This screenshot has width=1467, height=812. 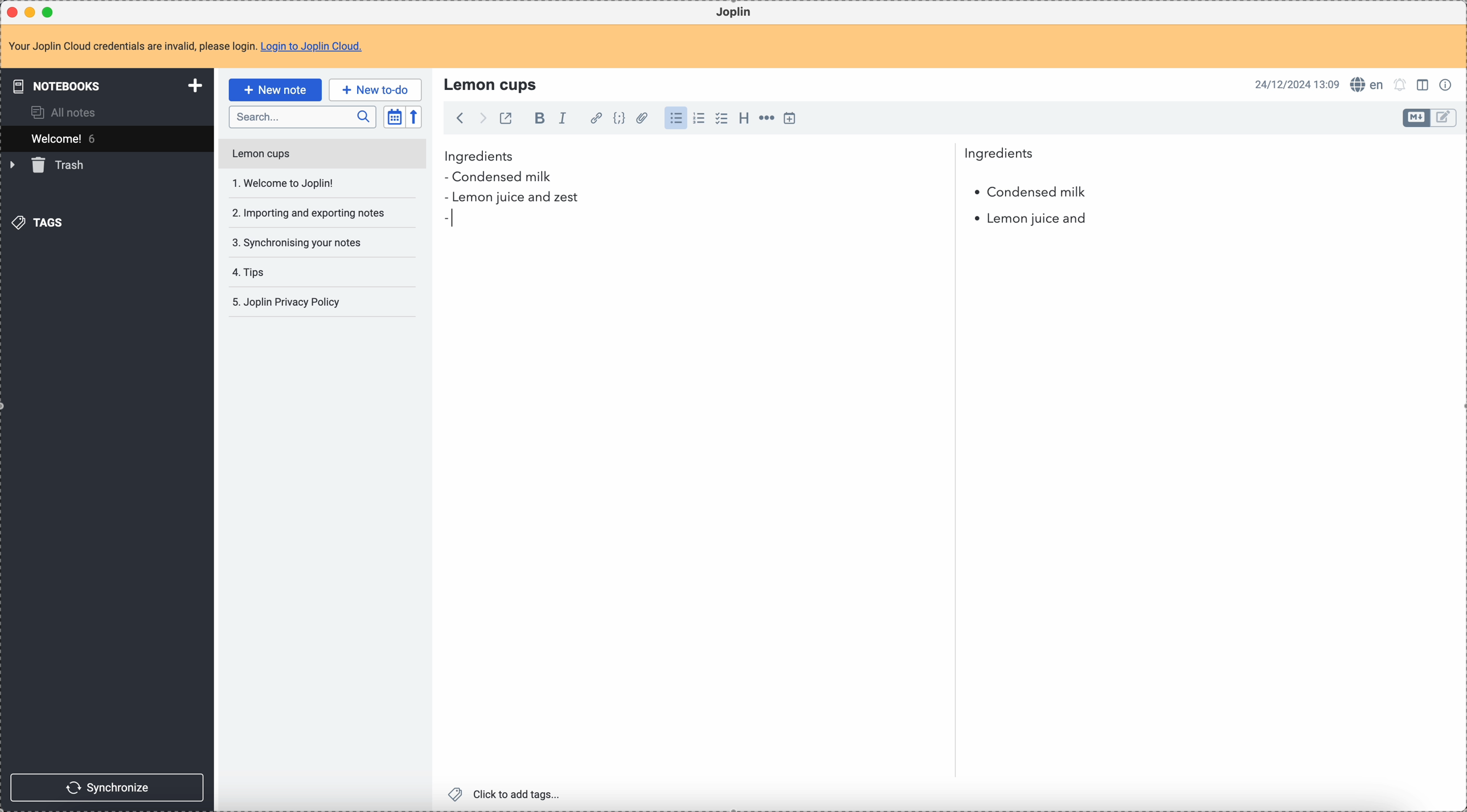 I want to click on bullet point, so click(x=450, y=222).